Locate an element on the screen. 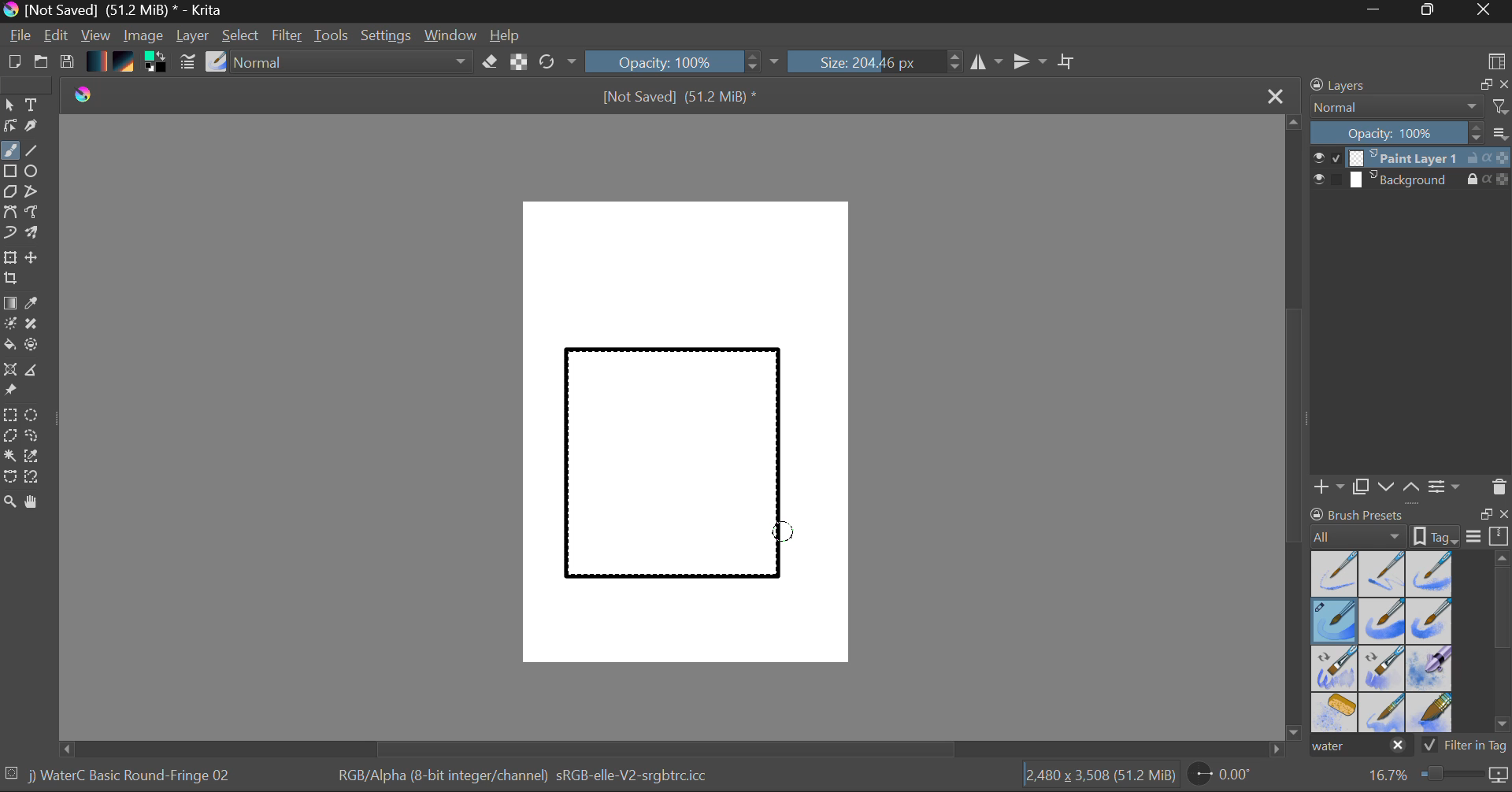 The image size is (1512, 792). Water C - Wet is located at coordinates (1384, 574).